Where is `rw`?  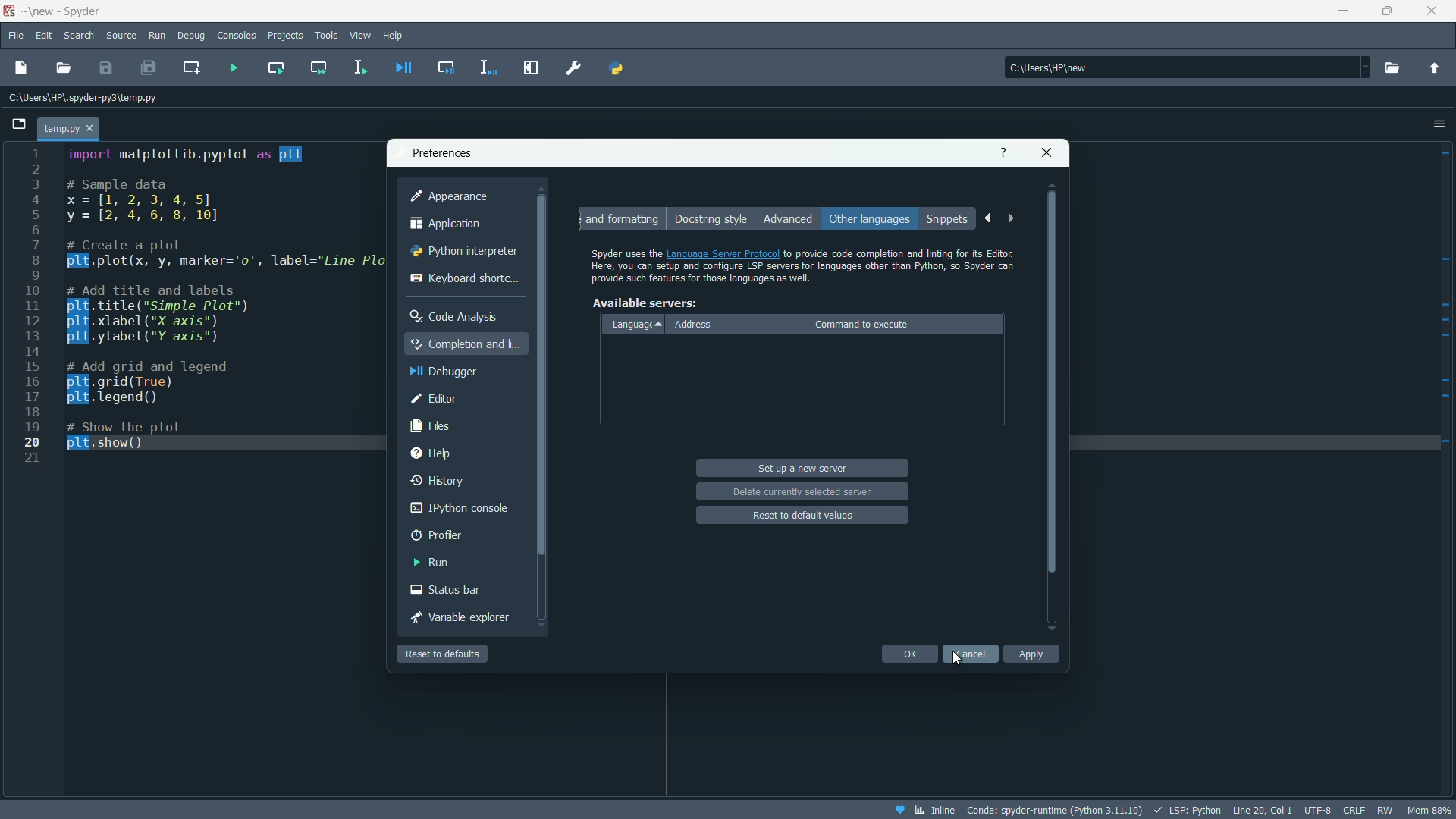 rw is located at coordinates (1389, 810).